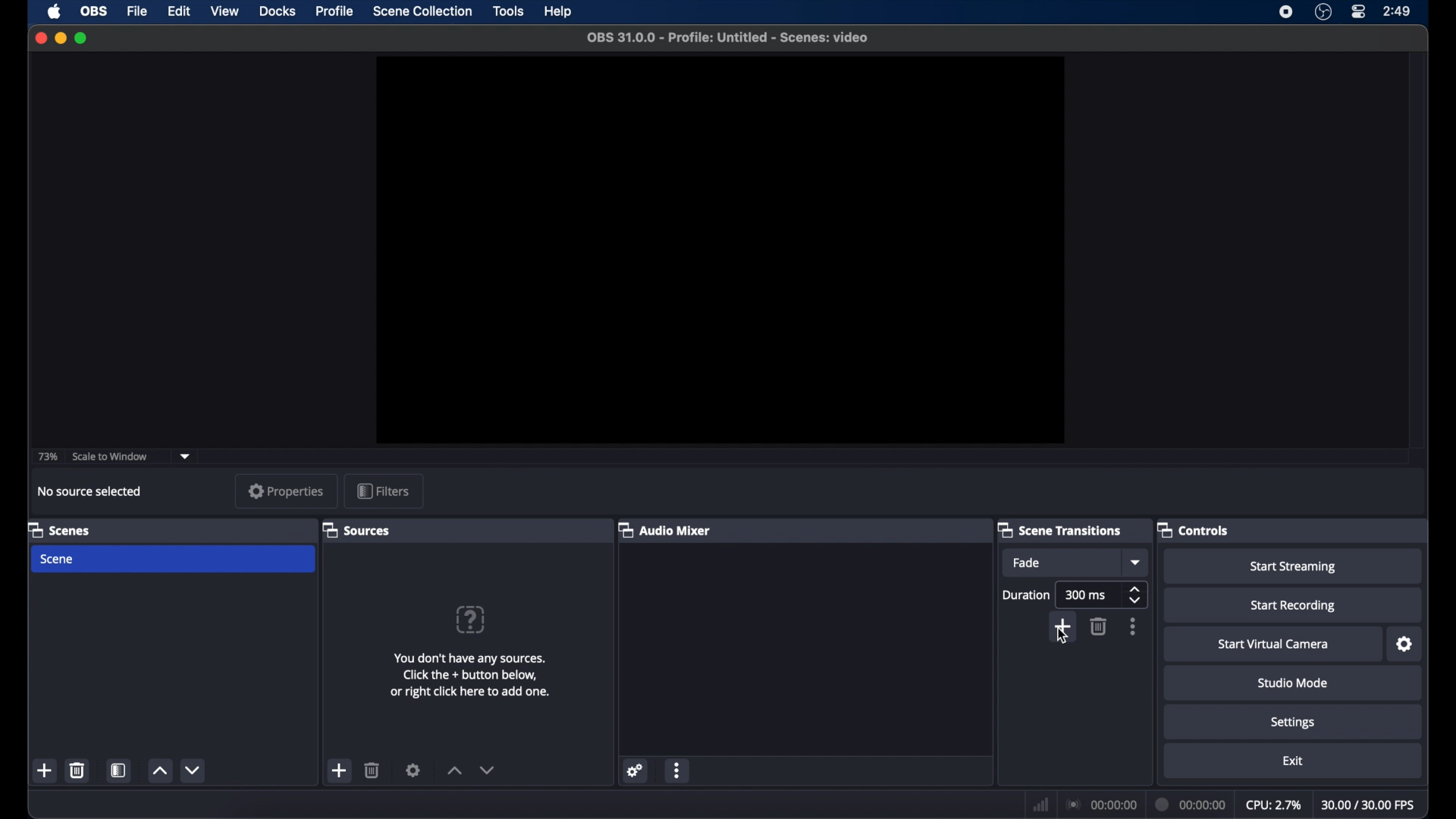  What do you see at coordinates (59, 531) in the screenshot?
I see `scenes` at bounding box center [59, 531].